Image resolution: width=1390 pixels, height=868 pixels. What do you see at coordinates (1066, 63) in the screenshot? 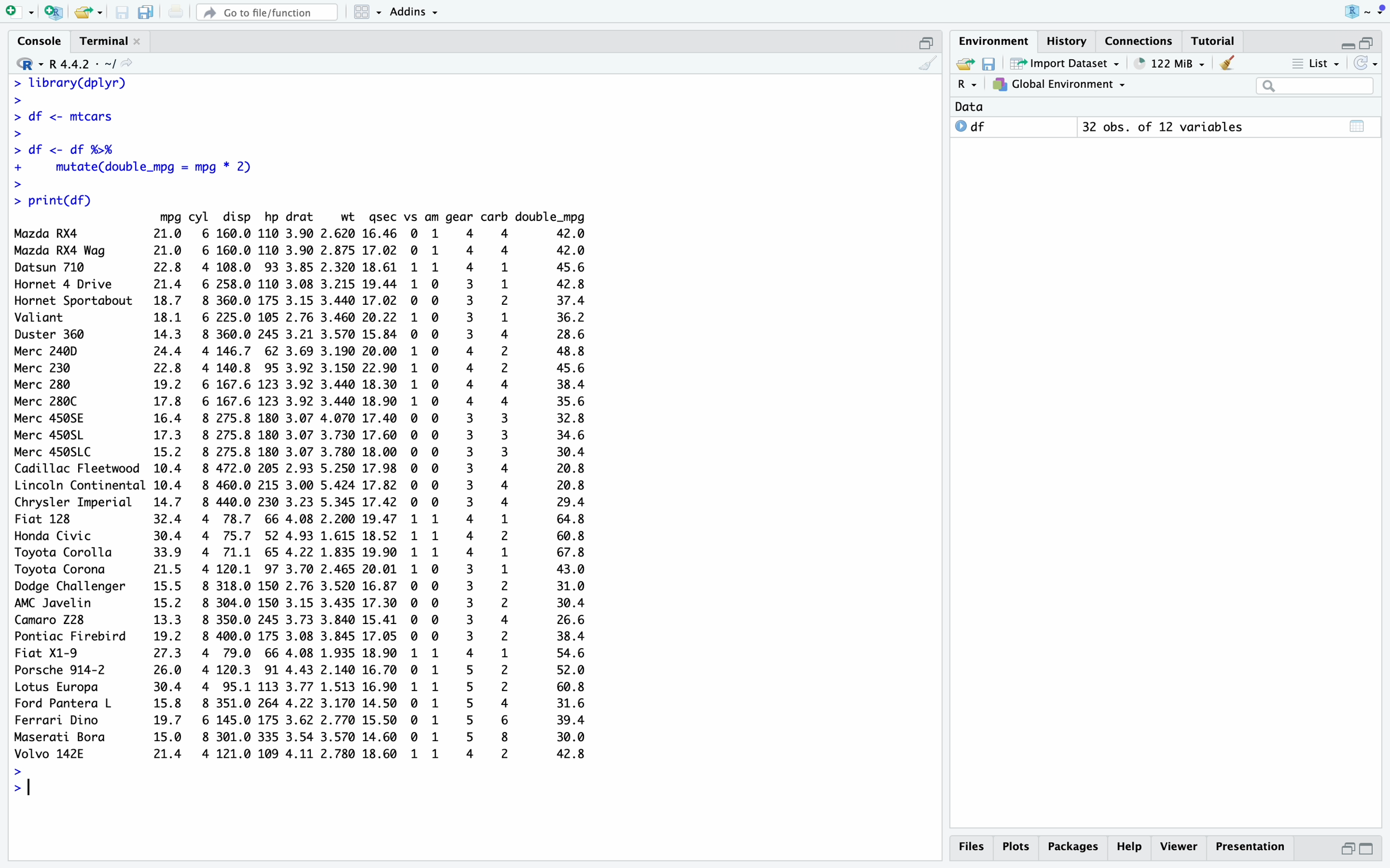
I see `Import datasets` at bounding box center [1066, 63].